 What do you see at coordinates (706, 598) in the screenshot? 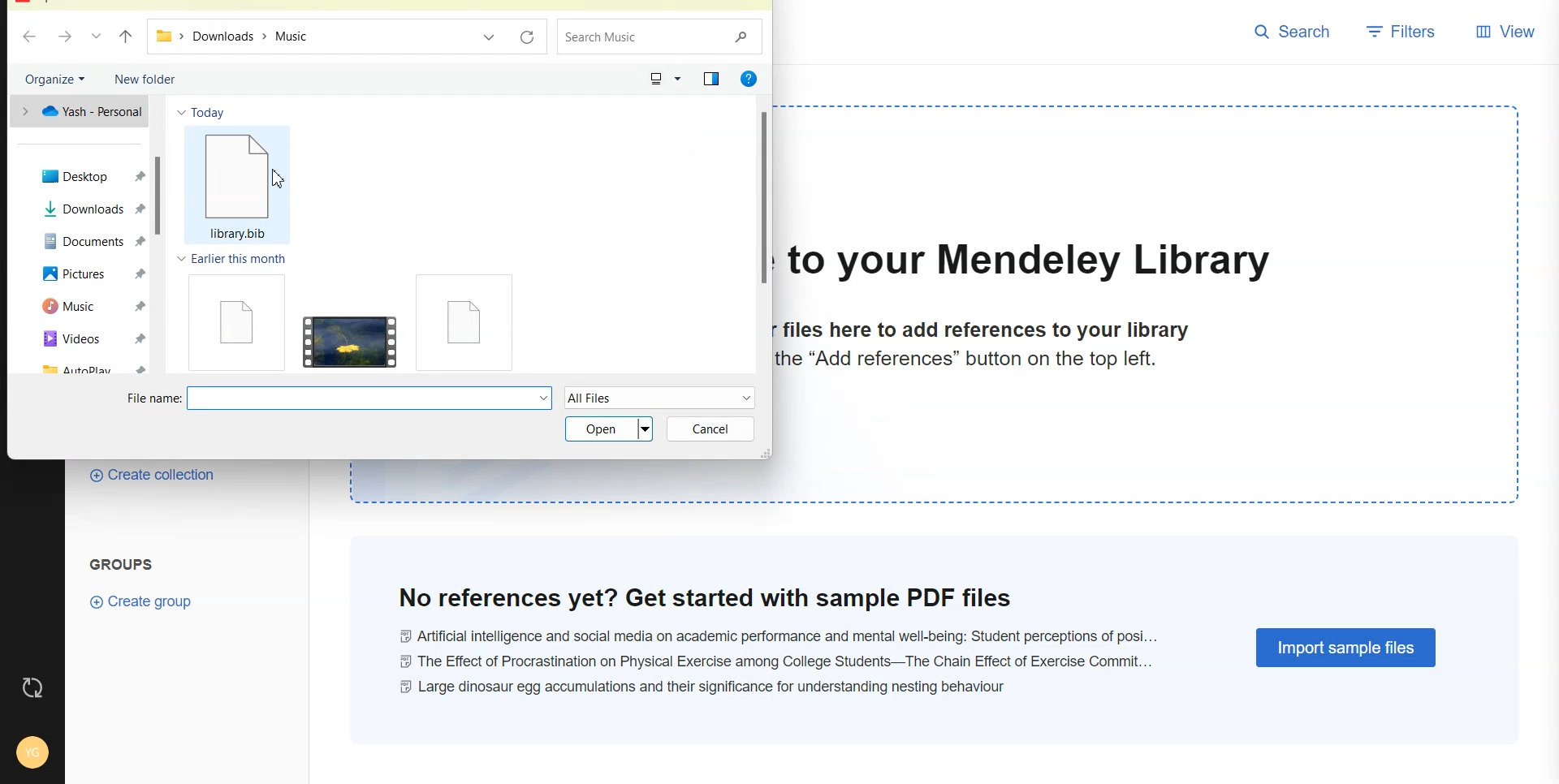
I see `No references yet? Get started with sample PDF files` at bounding box center [706, 598].